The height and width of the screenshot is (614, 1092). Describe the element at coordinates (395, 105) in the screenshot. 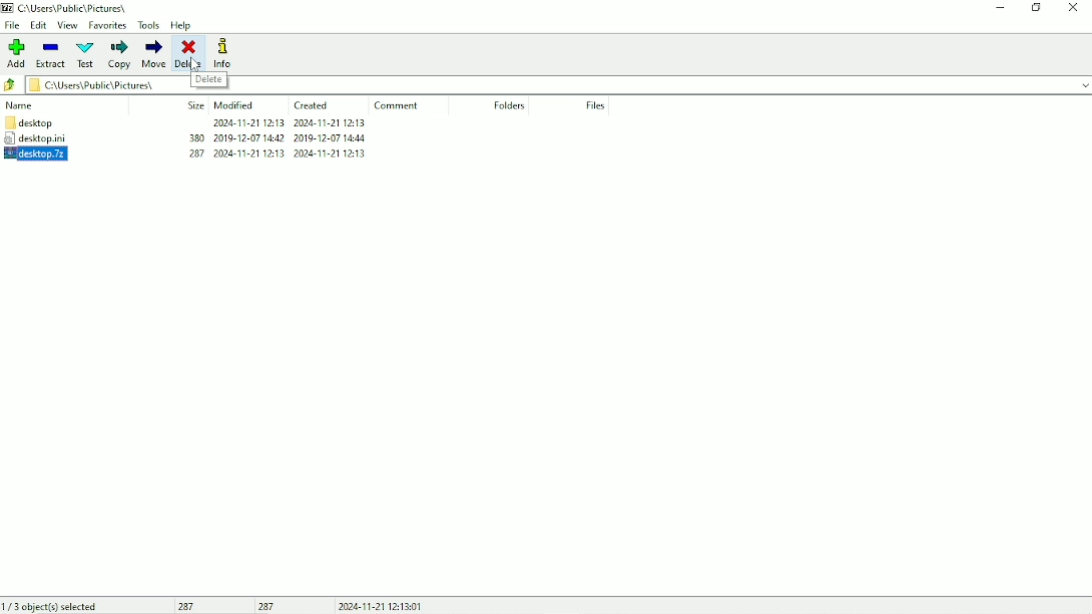

I see `Comment` at that location.